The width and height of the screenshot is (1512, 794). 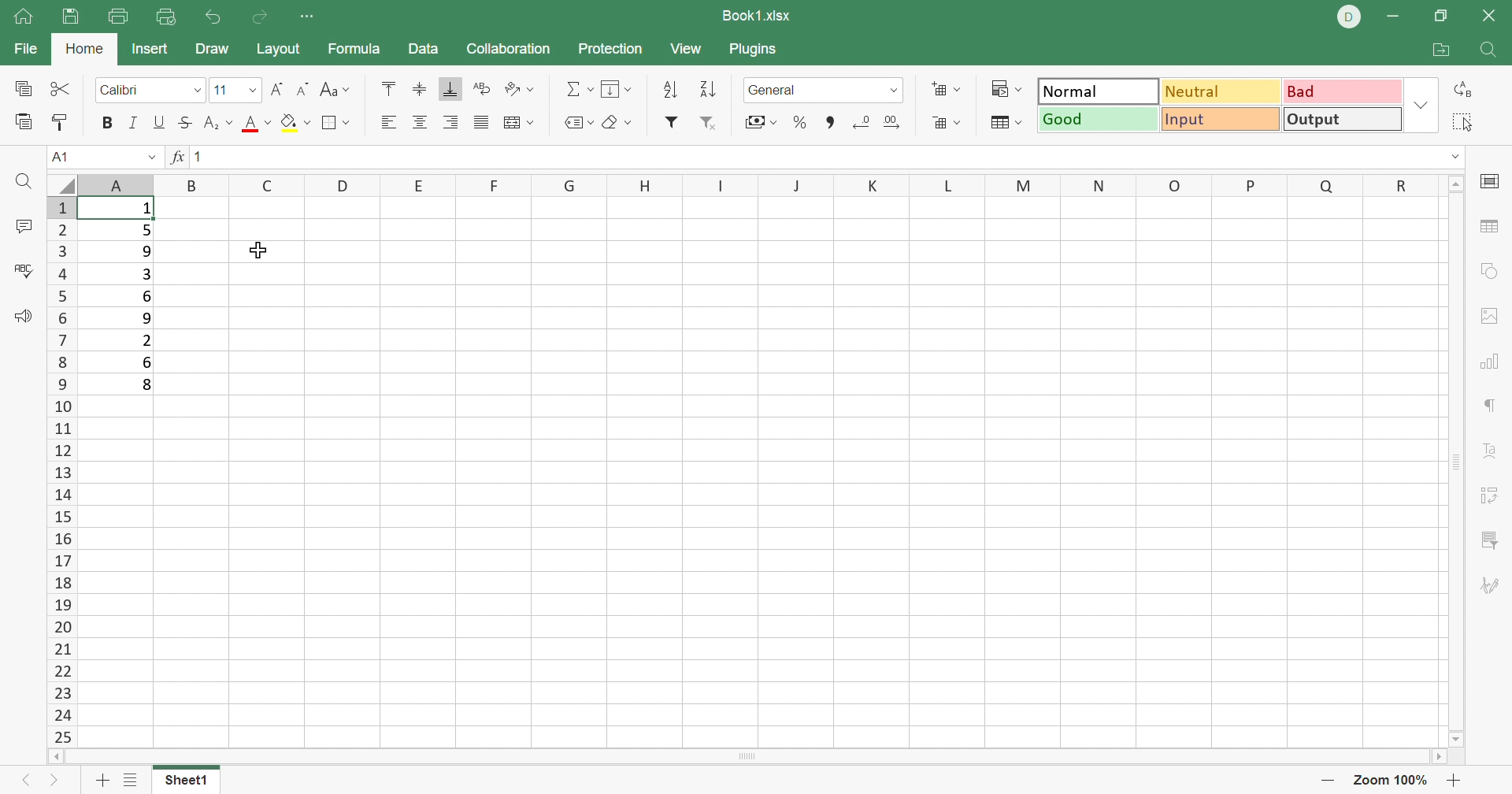 What do you see at coordinates (481, 125) in the screenshot?
I see `Justified` at bounding box center [481, 125].